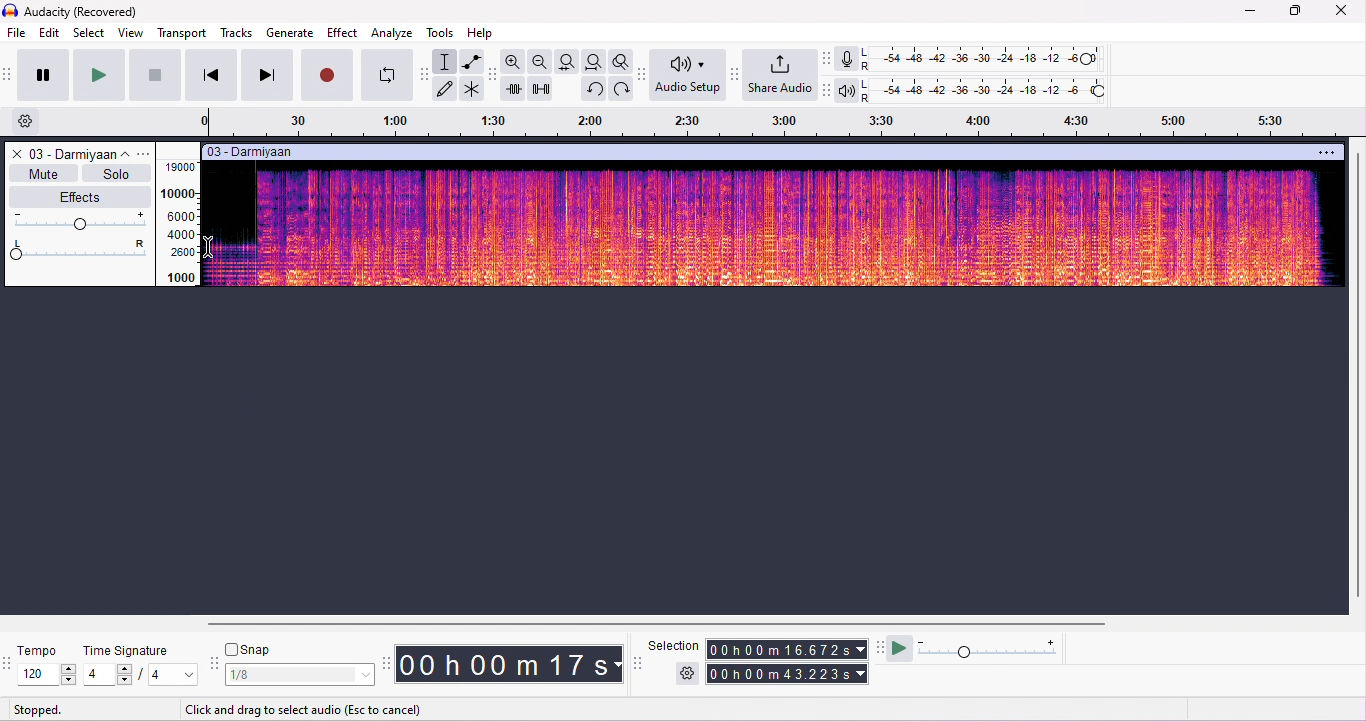  Describe the element at coordinates (391, 33) in the screenshot. I see `analyze` at that location.